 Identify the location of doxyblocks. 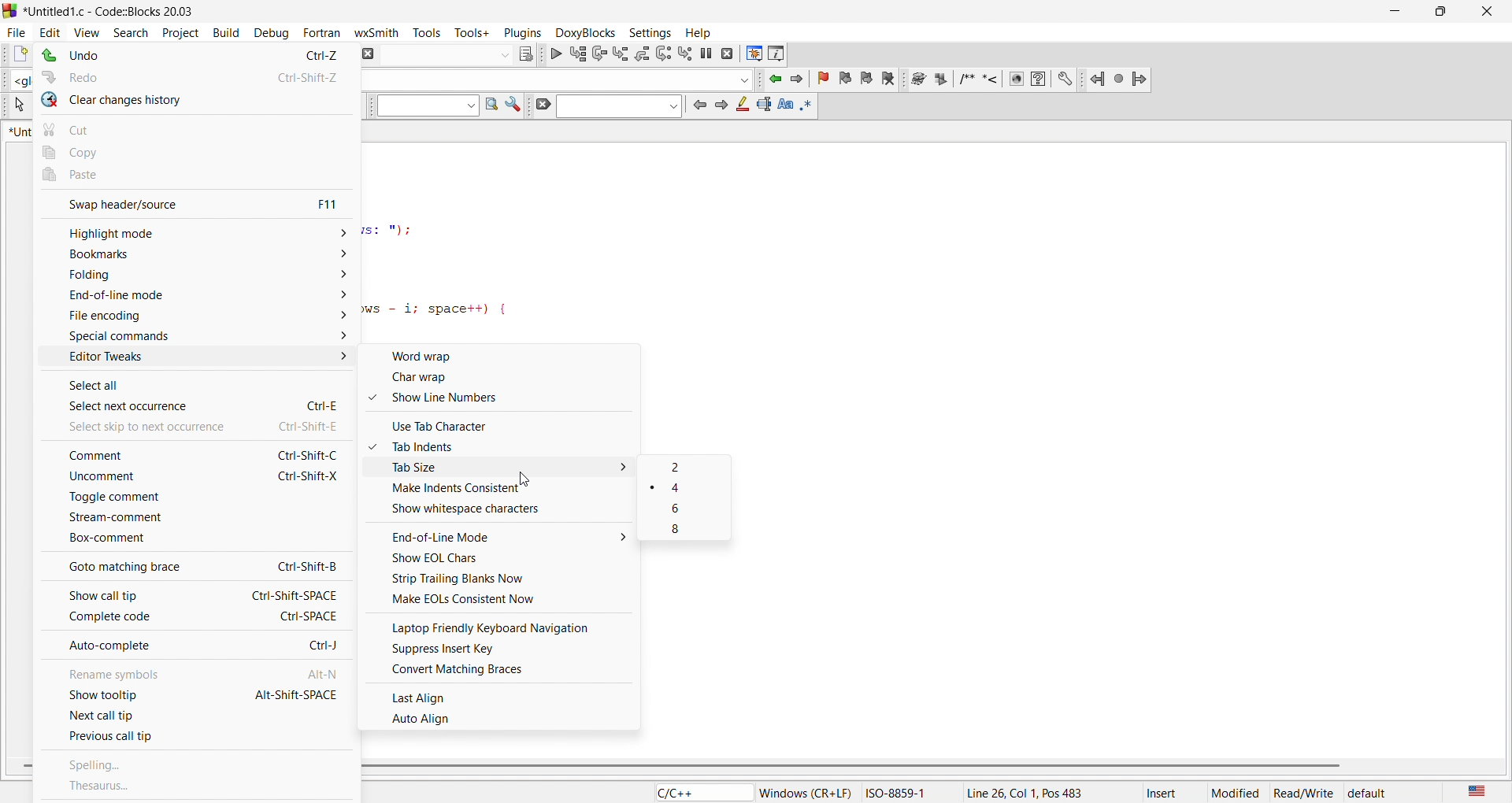
(581, 30).